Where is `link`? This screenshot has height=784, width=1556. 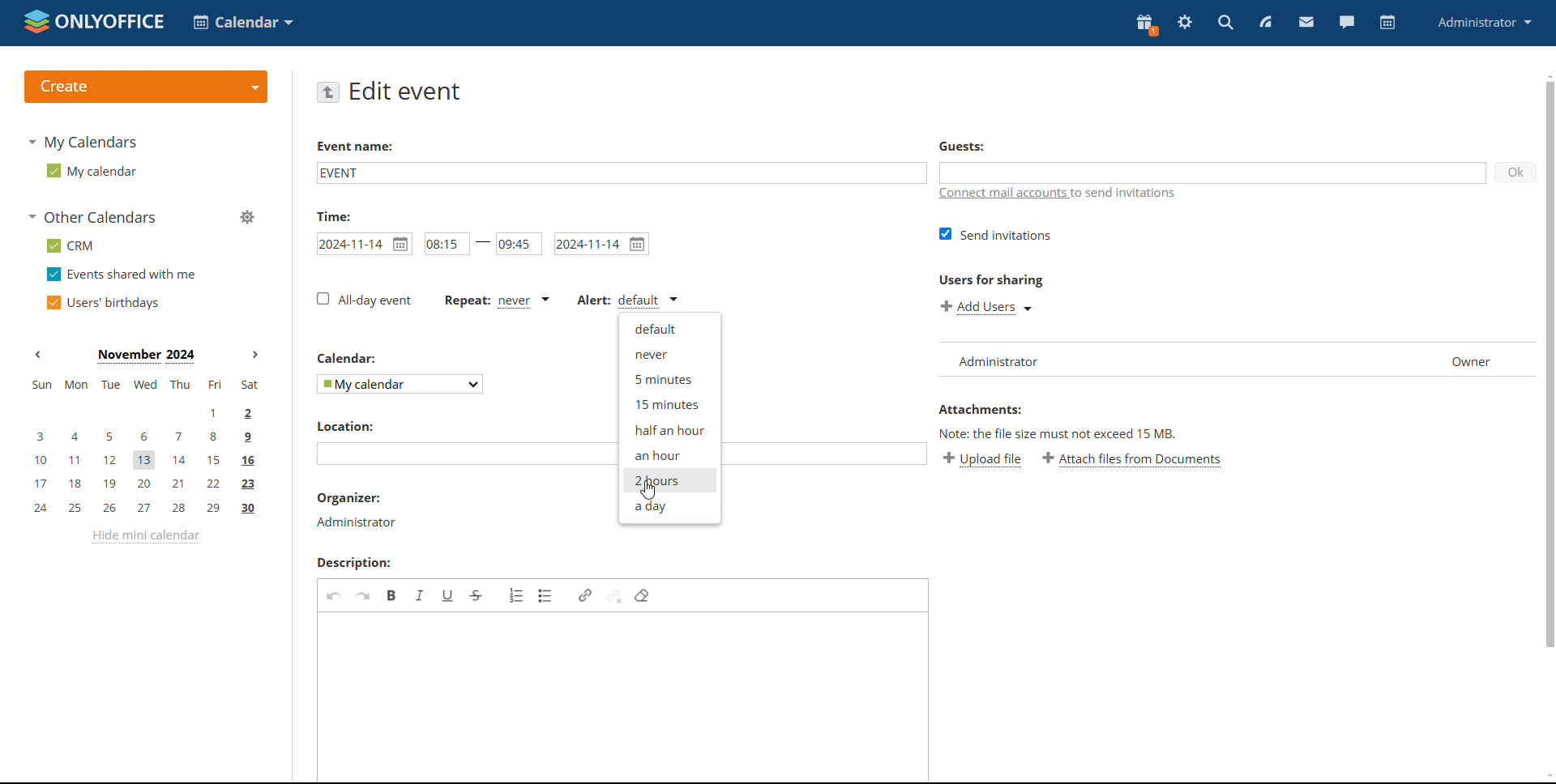
link is located at coordinates (584, 595).